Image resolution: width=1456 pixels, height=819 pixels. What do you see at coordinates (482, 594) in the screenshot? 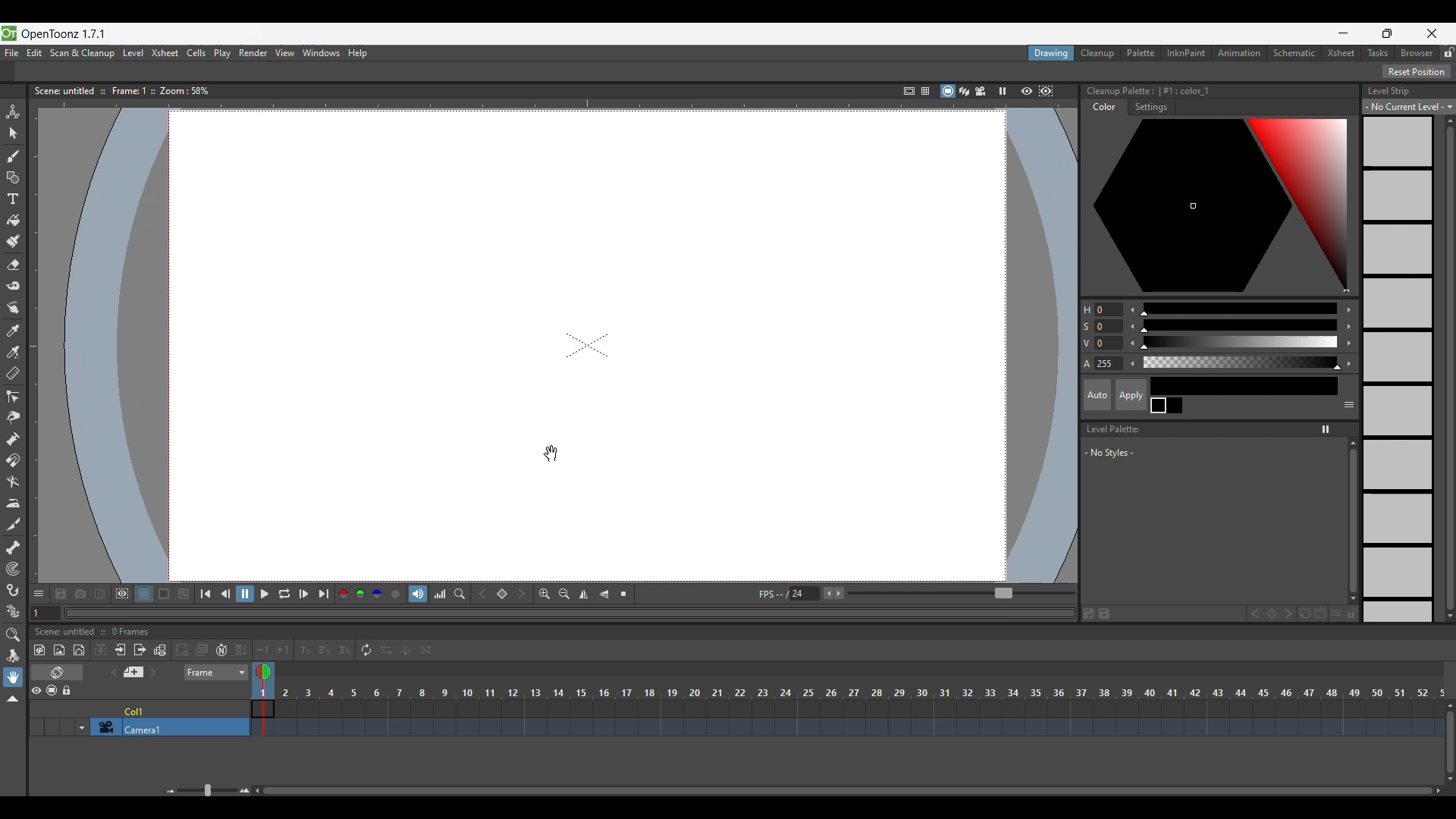
I see `Previous key` at bounding box center [482, 594].